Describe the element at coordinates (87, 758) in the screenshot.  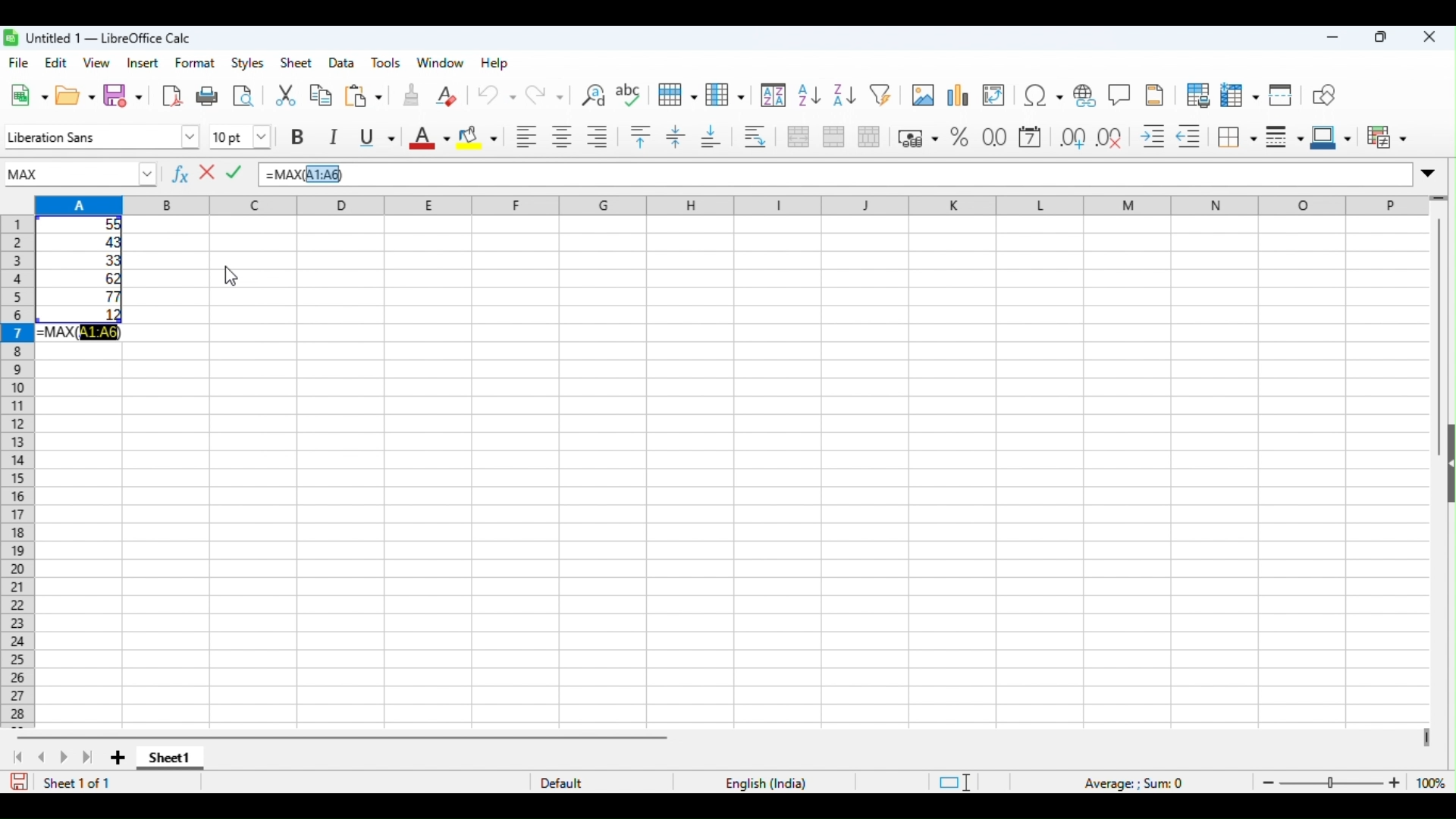
I see `last sheet` at that location.